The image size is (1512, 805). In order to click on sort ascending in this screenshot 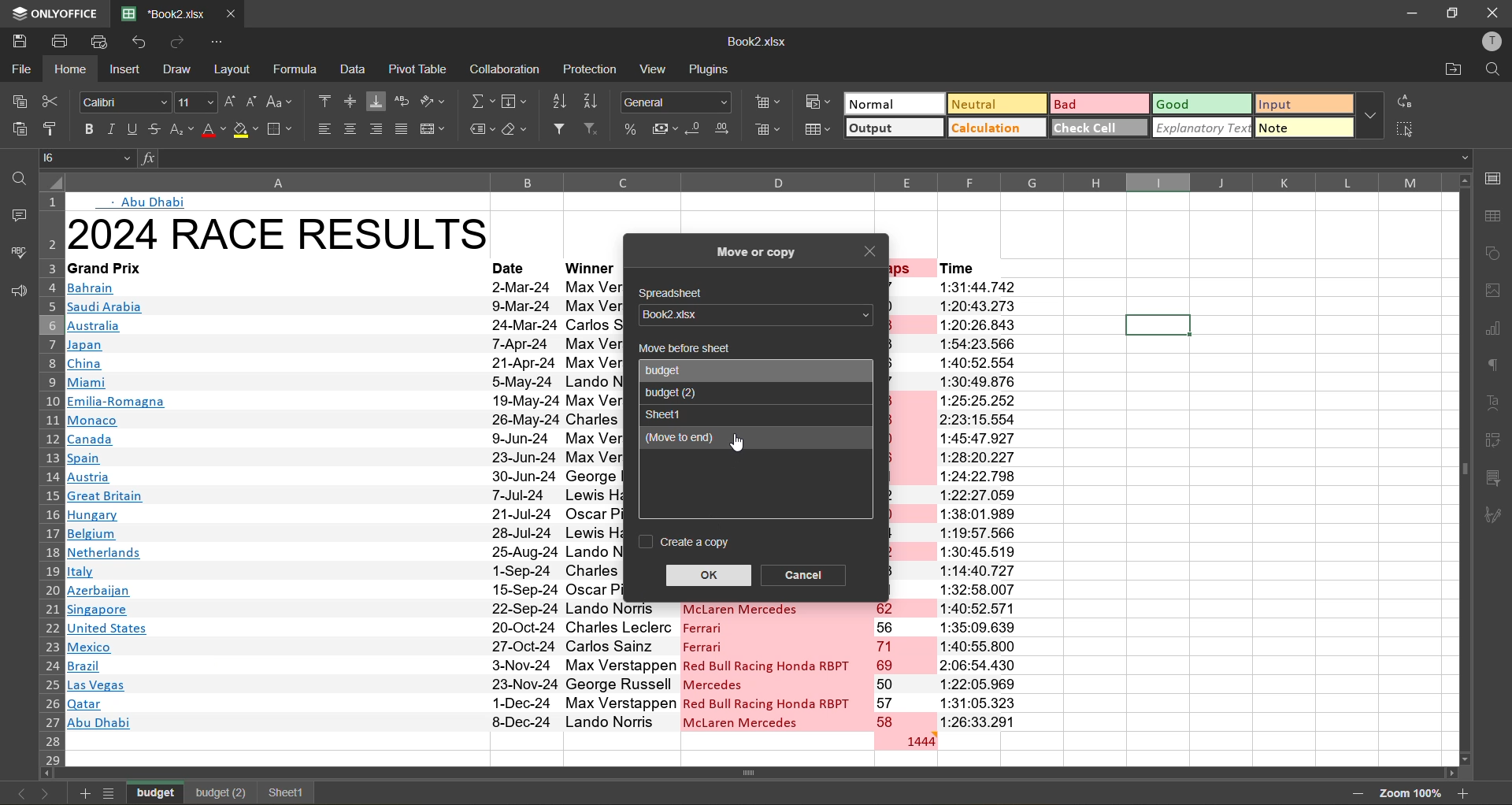, I will do `click(563, 101)`.